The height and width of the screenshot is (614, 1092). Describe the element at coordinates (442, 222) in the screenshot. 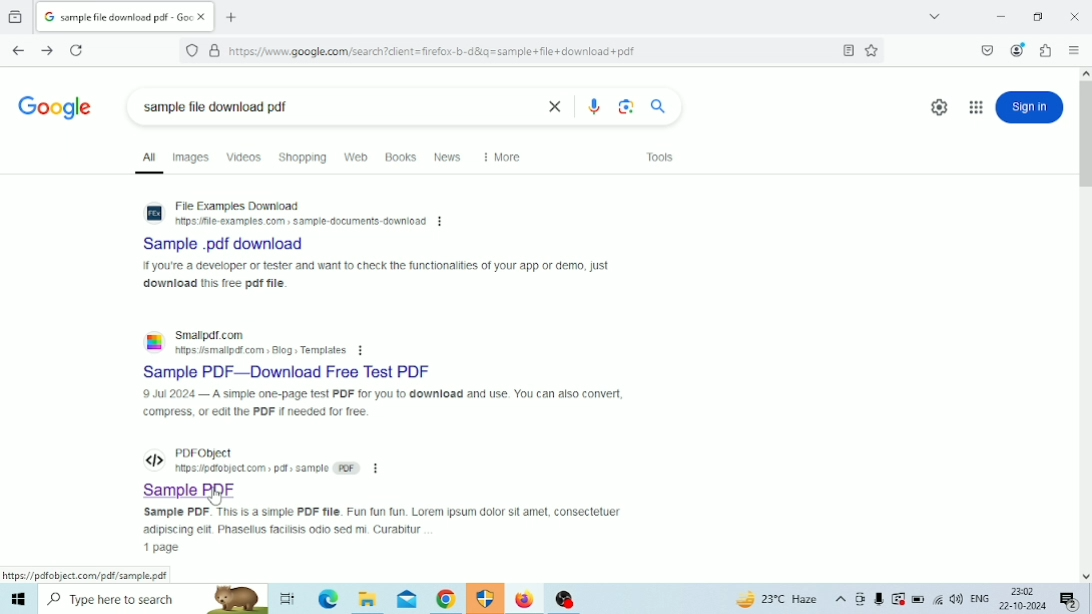

I see `more options` at that location.